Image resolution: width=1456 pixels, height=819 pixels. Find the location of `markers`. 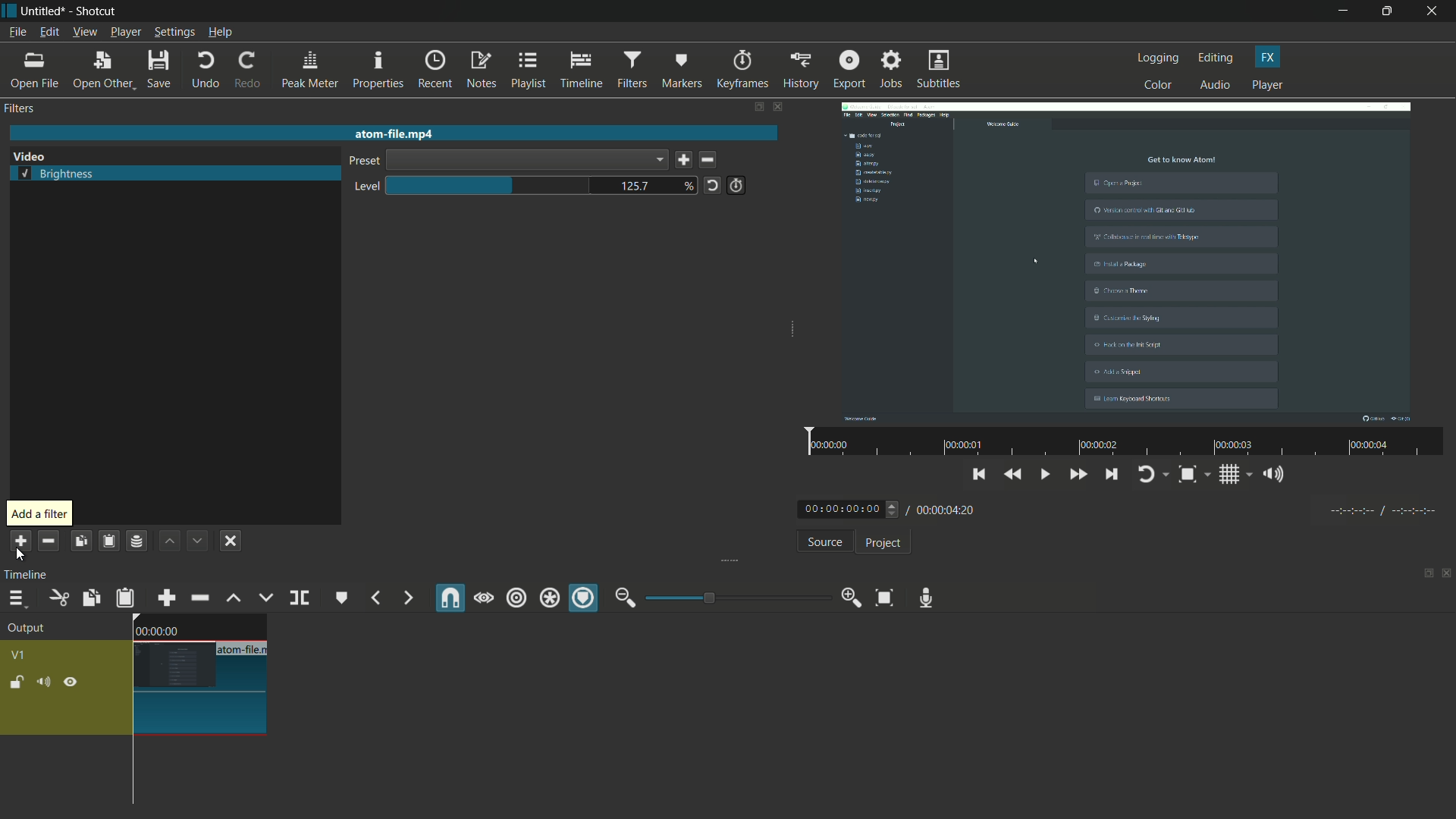

markers is located at coordinates (682, 69).